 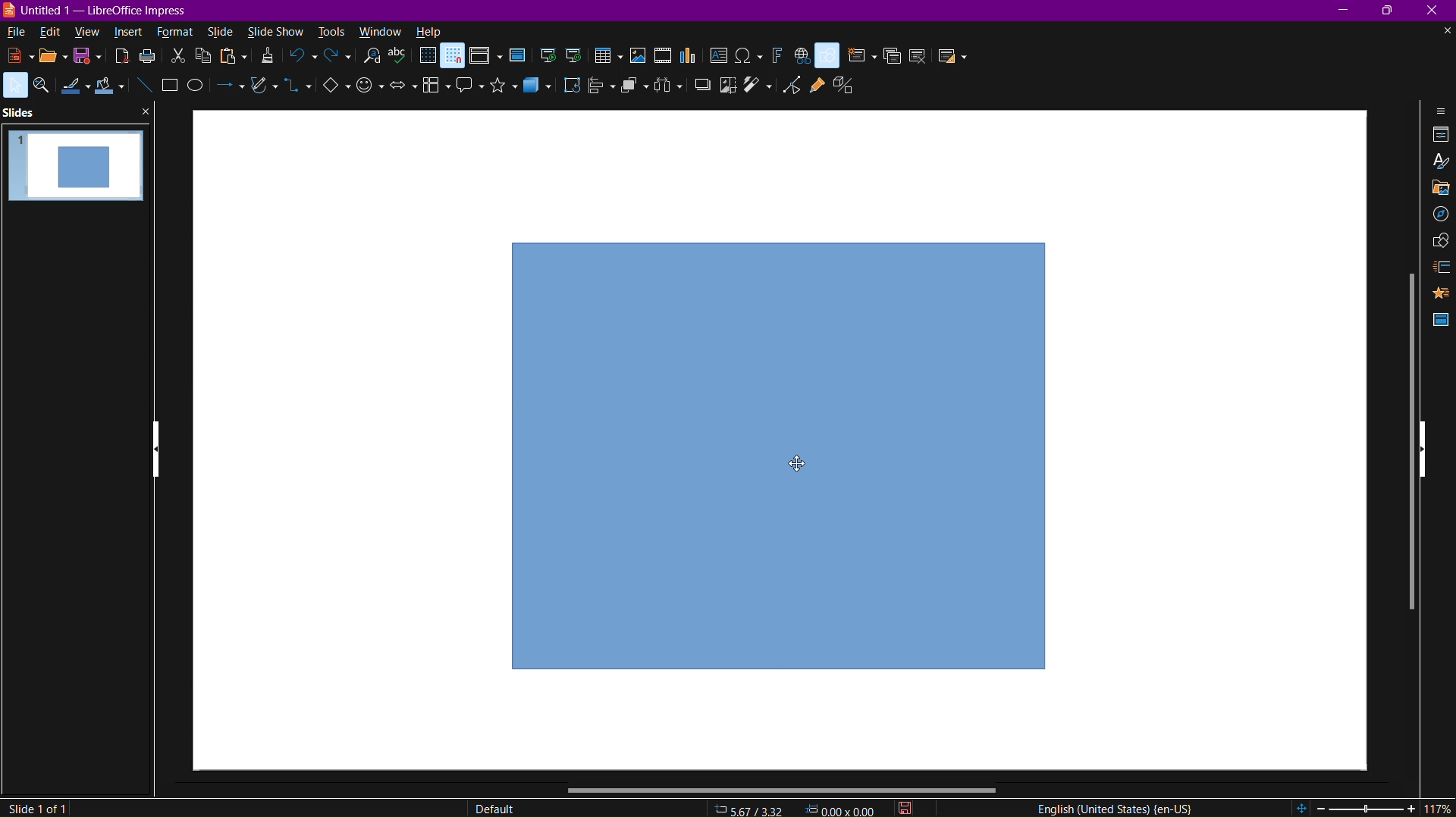 I want to click on Master Slide, so click(x=516, y=57).